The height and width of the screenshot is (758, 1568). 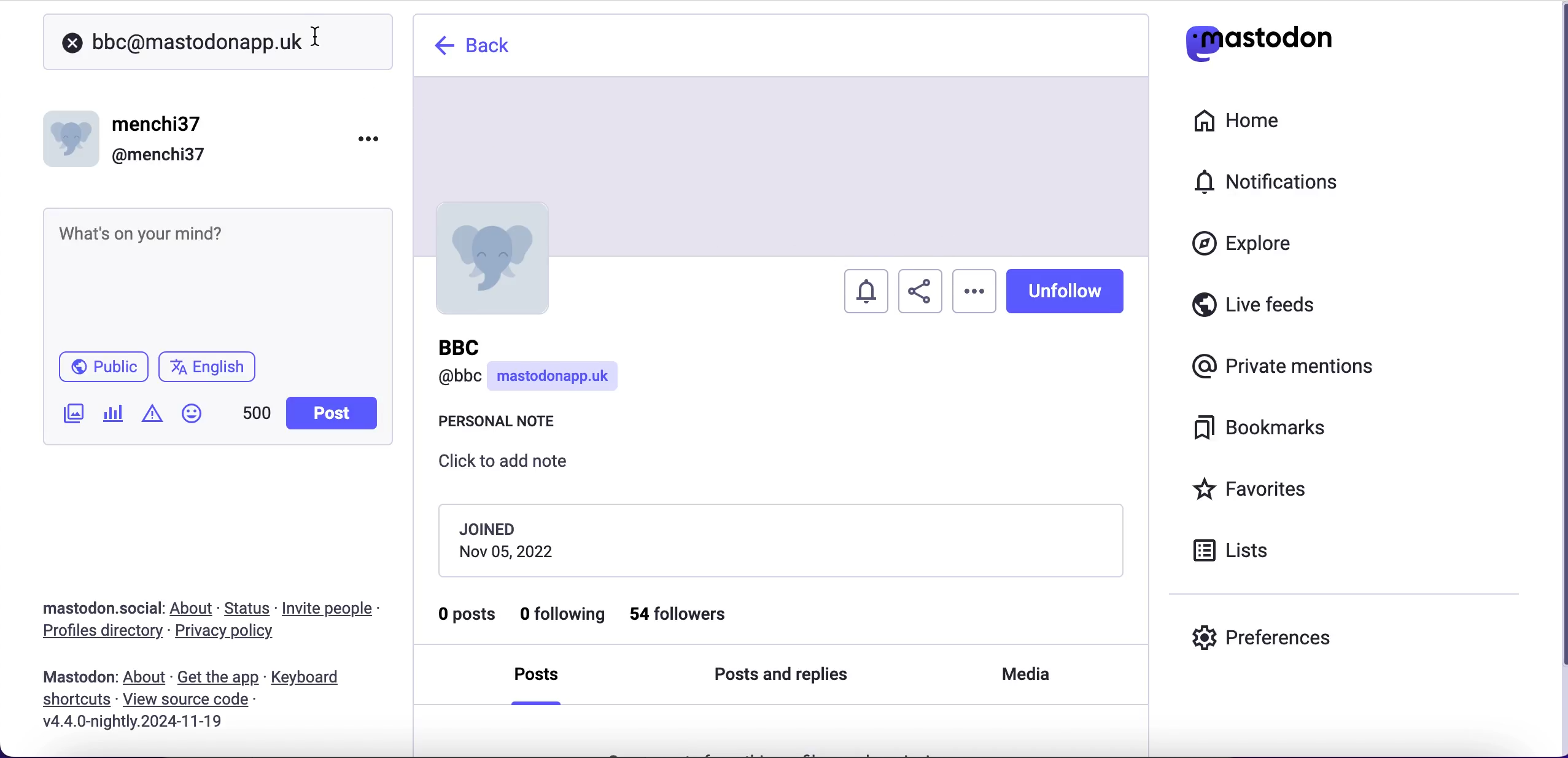 I want to click on invite people, so click(x=334, y=609).